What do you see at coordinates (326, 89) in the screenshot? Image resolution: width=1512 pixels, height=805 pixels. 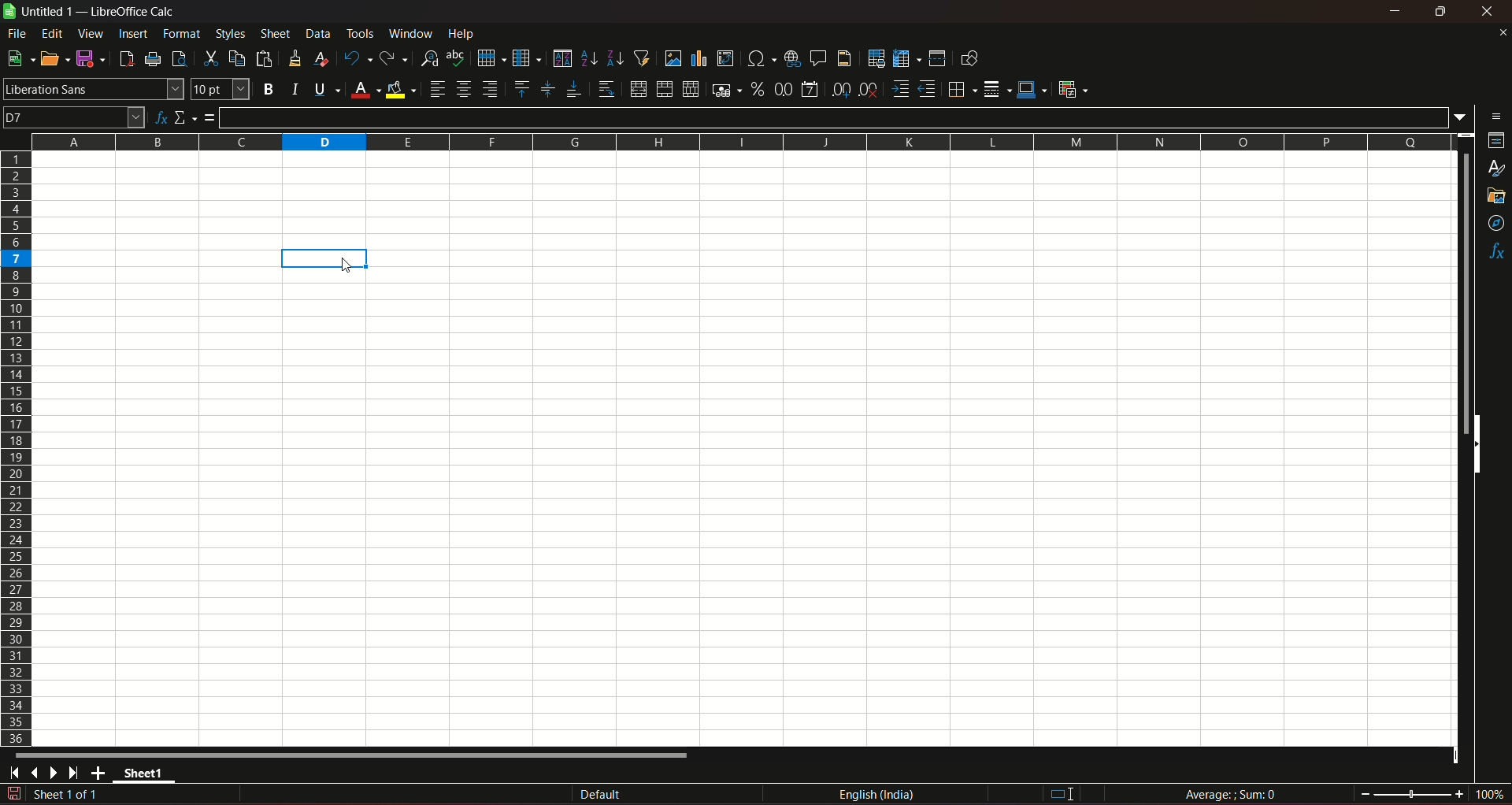 I see `underline` at bounding box center [326, 89].